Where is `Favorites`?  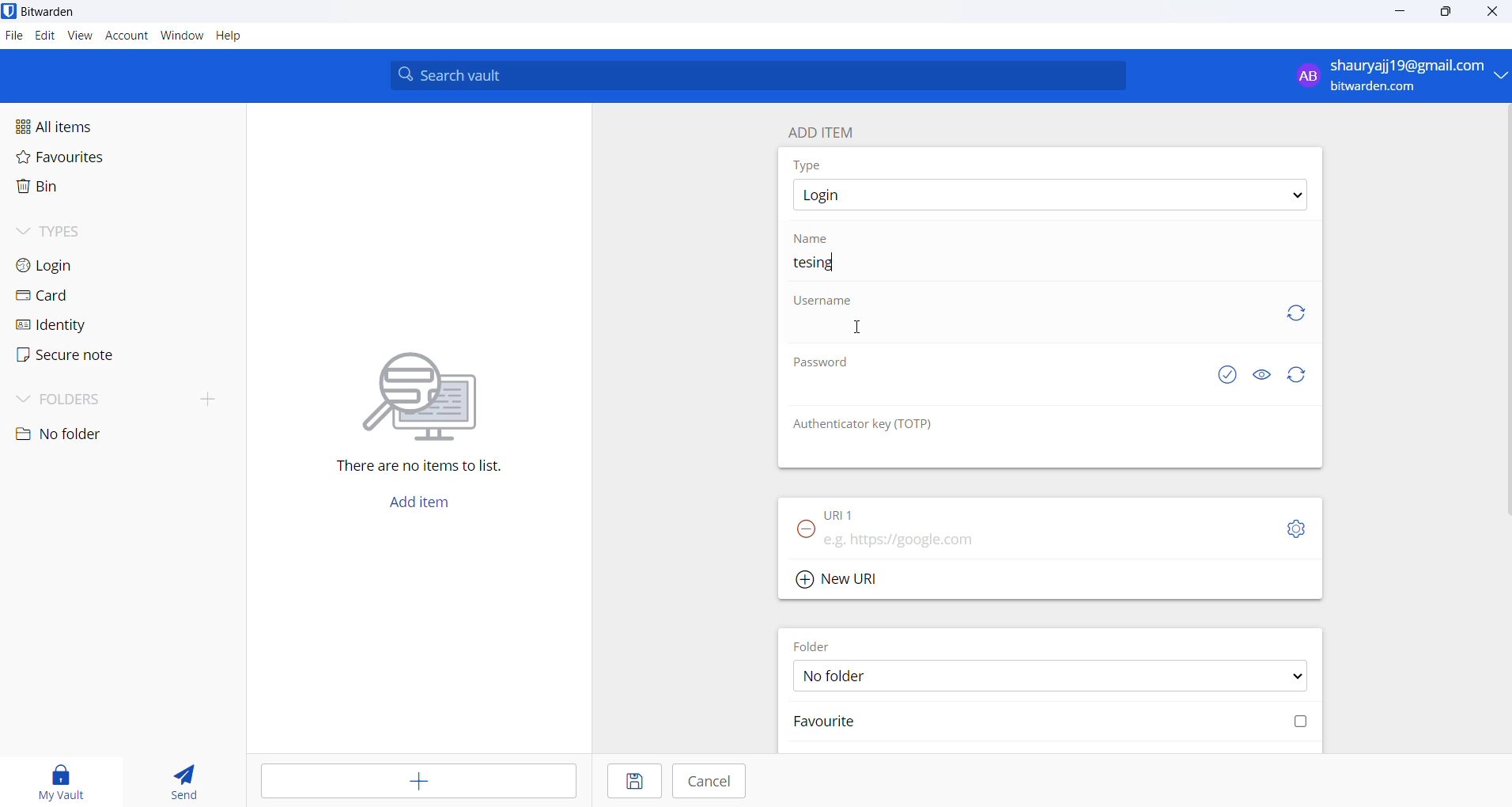 Favorites is located at coordinates (96, 161).